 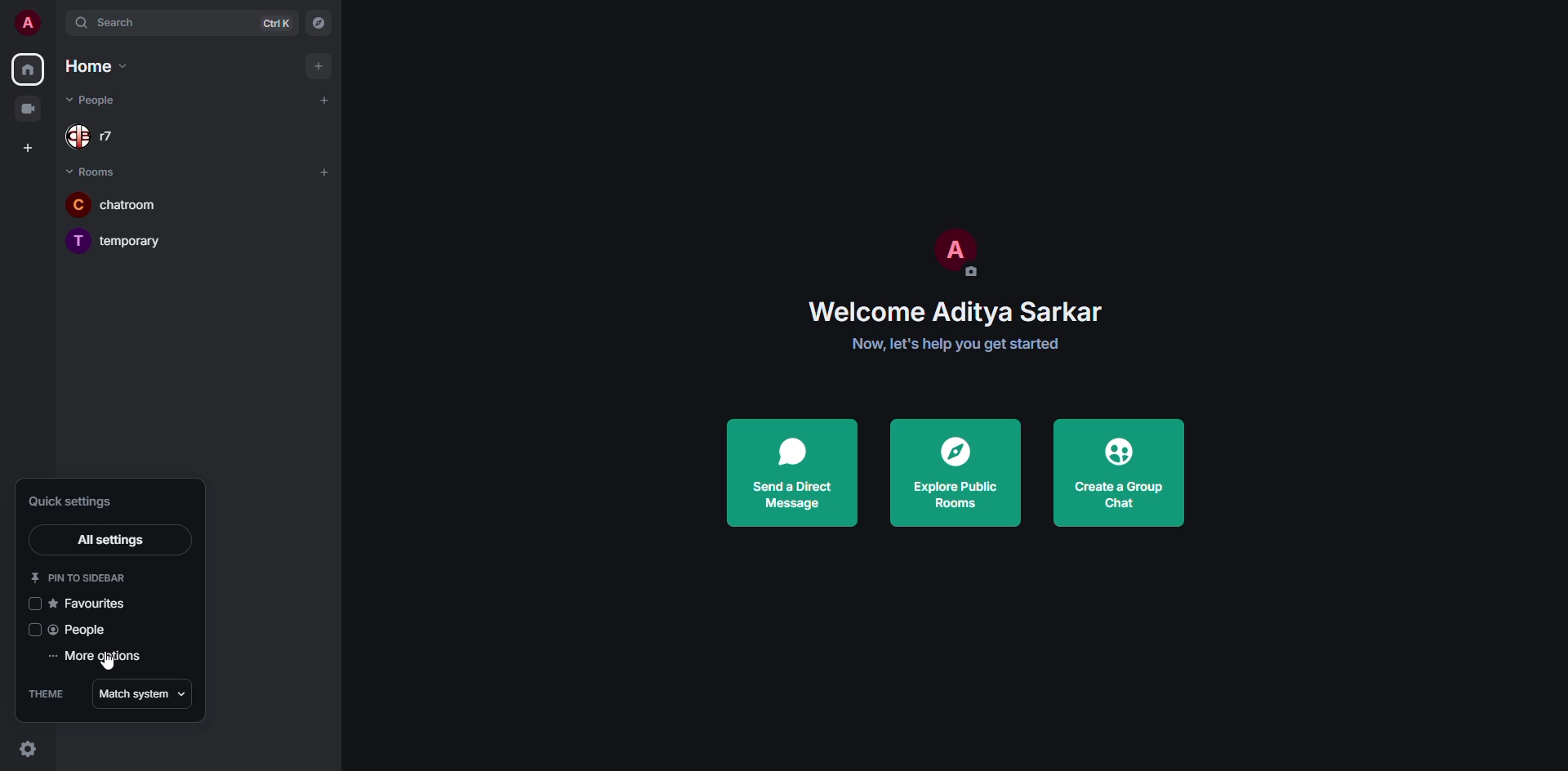 What do you see at coordinates (25, 748) in the screenshot?
I see `quick settings` at bounding box center [25, 748].